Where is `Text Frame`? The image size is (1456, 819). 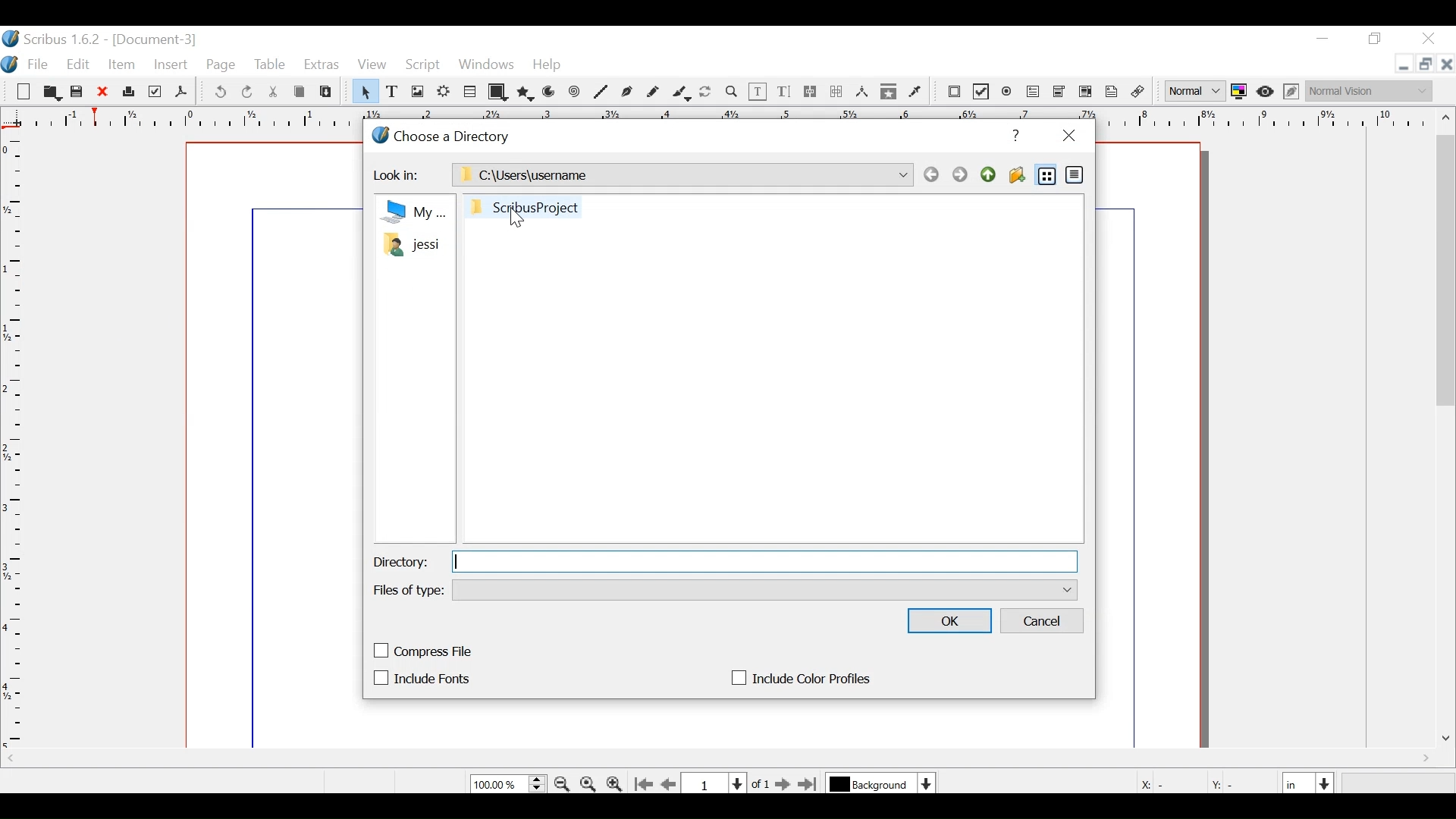
Text Frame is located at coordinates (393, 91).